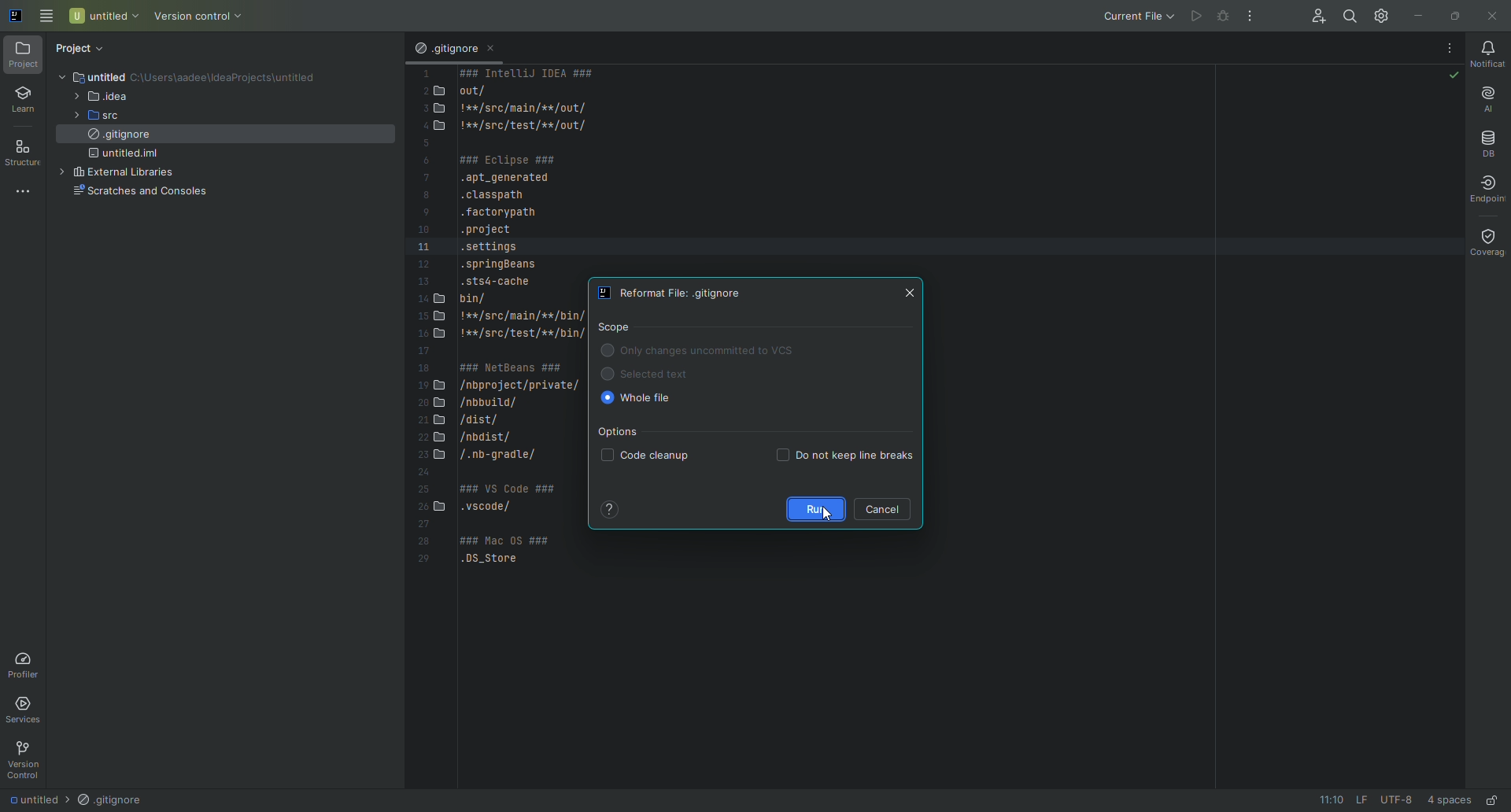 The width and height of the screenshot is (1511, 812). Describe the element at coordinates (24, 56) in the screenshot. I see `Project` at that location.